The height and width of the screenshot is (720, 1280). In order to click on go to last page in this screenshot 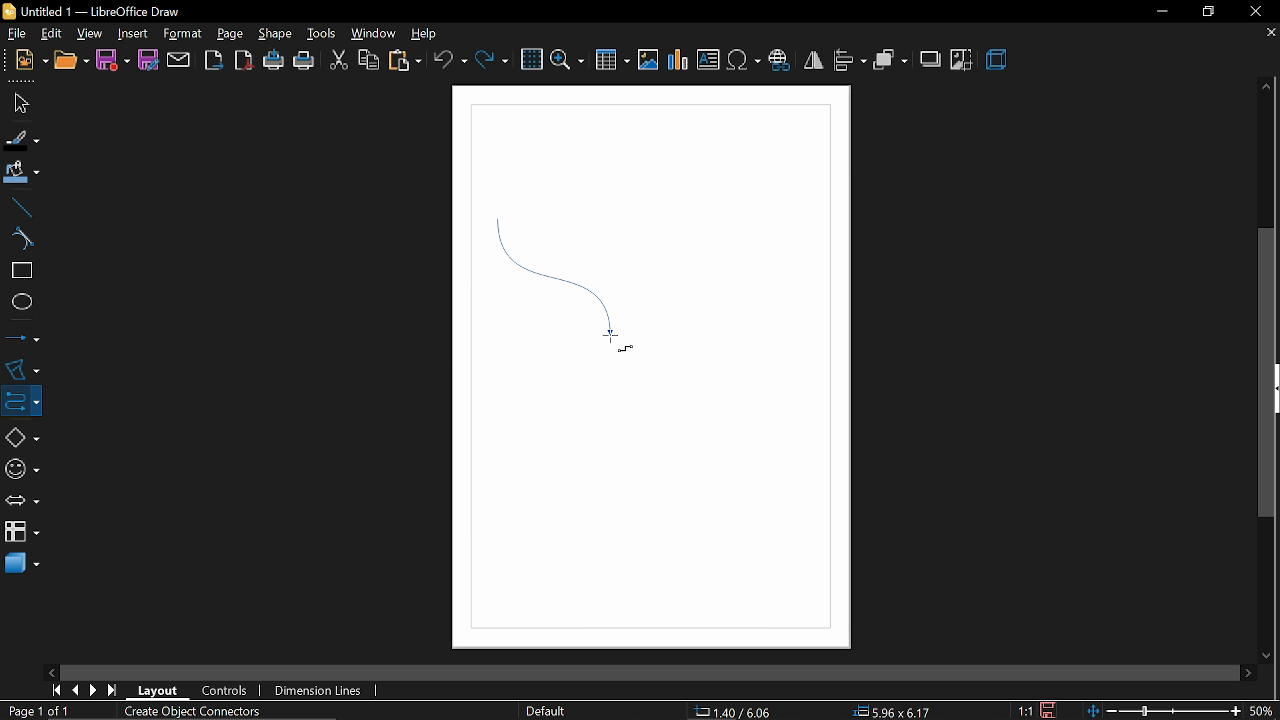, I will do `click(114, 690)`.